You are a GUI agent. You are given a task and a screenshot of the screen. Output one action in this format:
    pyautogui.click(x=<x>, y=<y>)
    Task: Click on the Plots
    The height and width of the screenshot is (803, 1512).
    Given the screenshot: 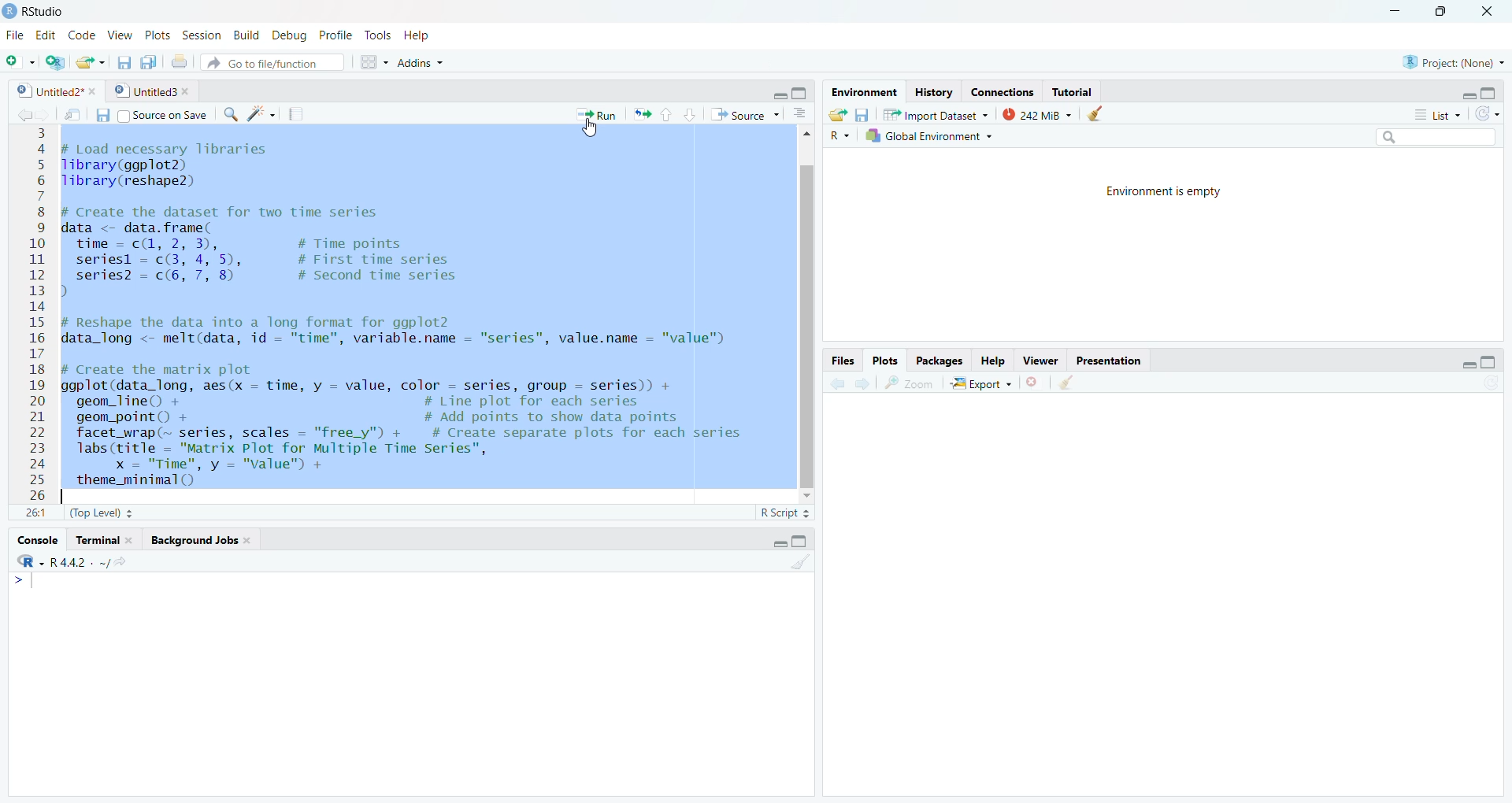 What is the action you would take?
    pyautogui.click(x=159, y=35)
    